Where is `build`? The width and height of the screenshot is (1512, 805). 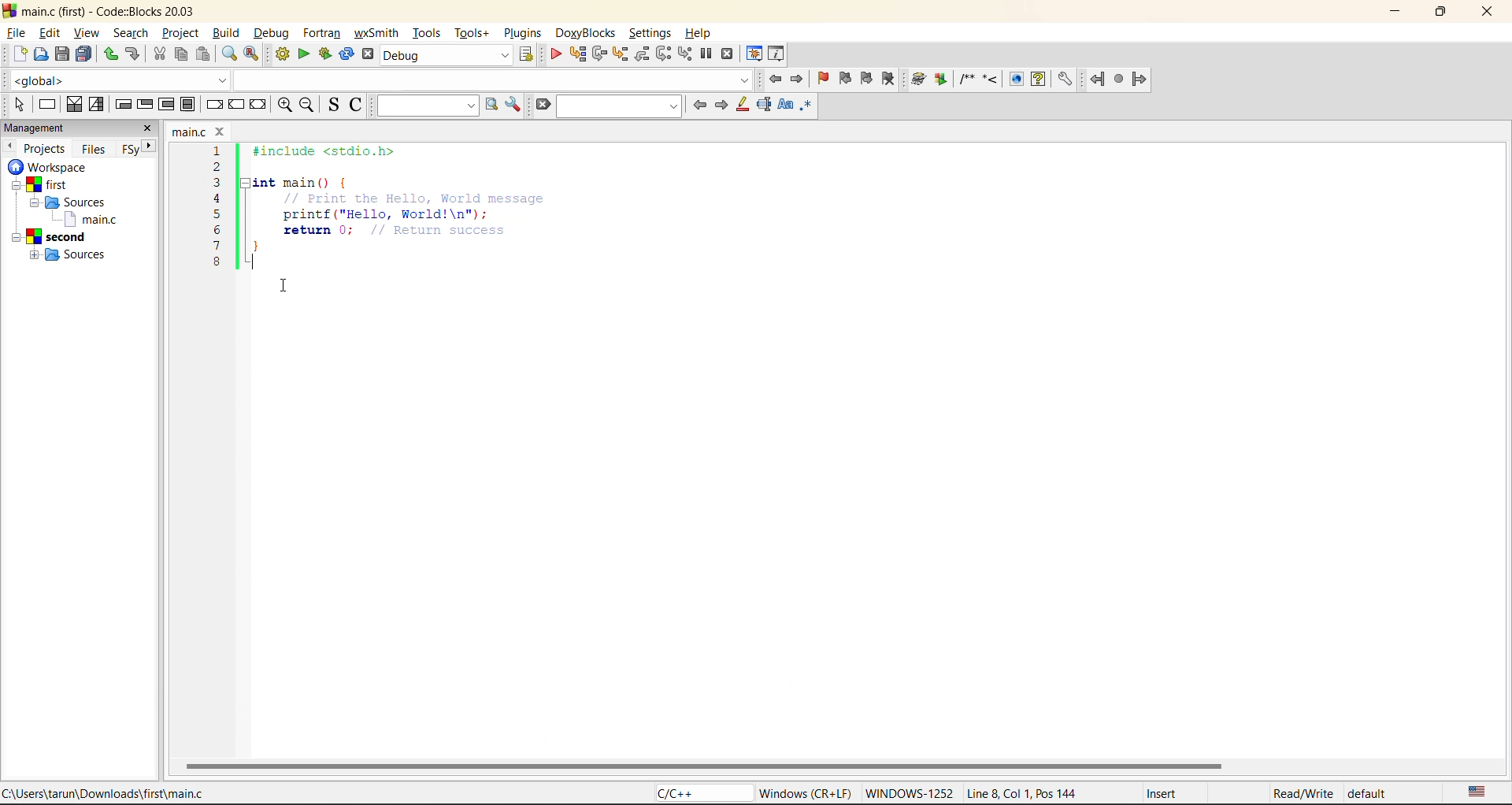
build is located at coordinates (282, 56).